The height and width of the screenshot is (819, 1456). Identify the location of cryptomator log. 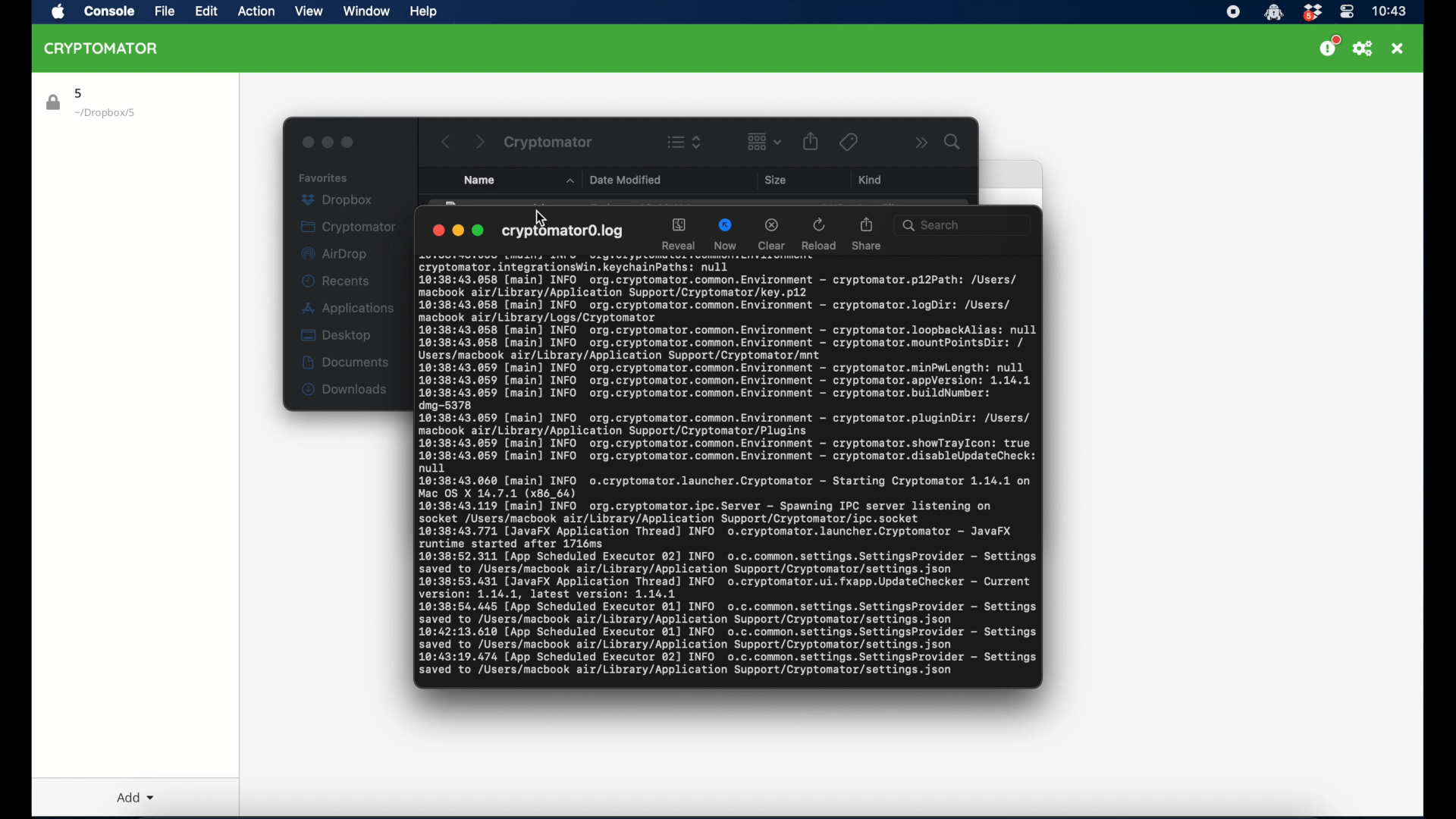
(563, 231).